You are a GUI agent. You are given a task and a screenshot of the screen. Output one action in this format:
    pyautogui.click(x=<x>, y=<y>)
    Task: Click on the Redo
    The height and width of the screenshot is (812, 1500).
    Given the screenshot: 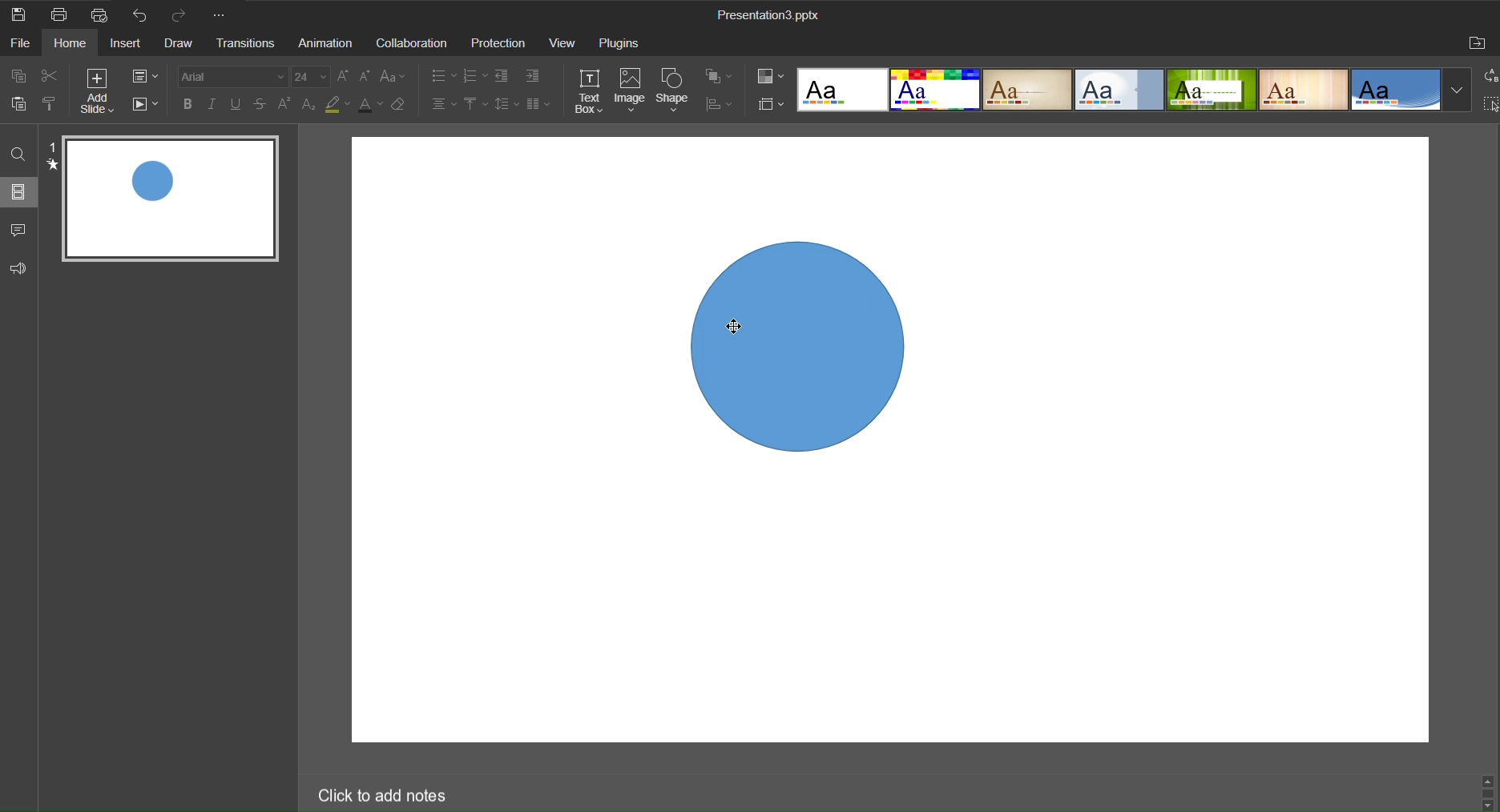 What is the action you would take?
    pyautogui.click(x=176, y=16)
    